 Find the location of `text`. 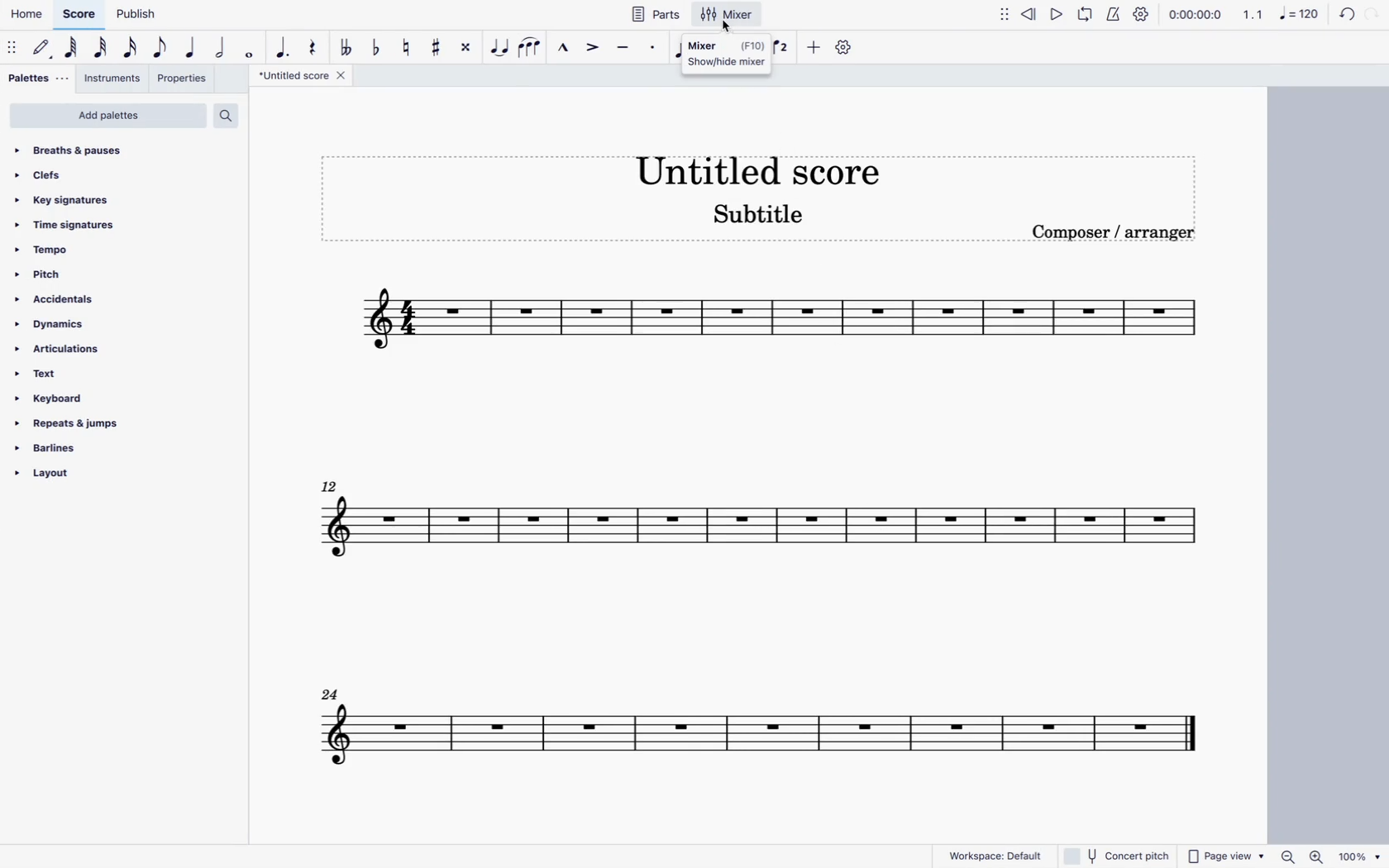

text is located at coordinates (61, 375).